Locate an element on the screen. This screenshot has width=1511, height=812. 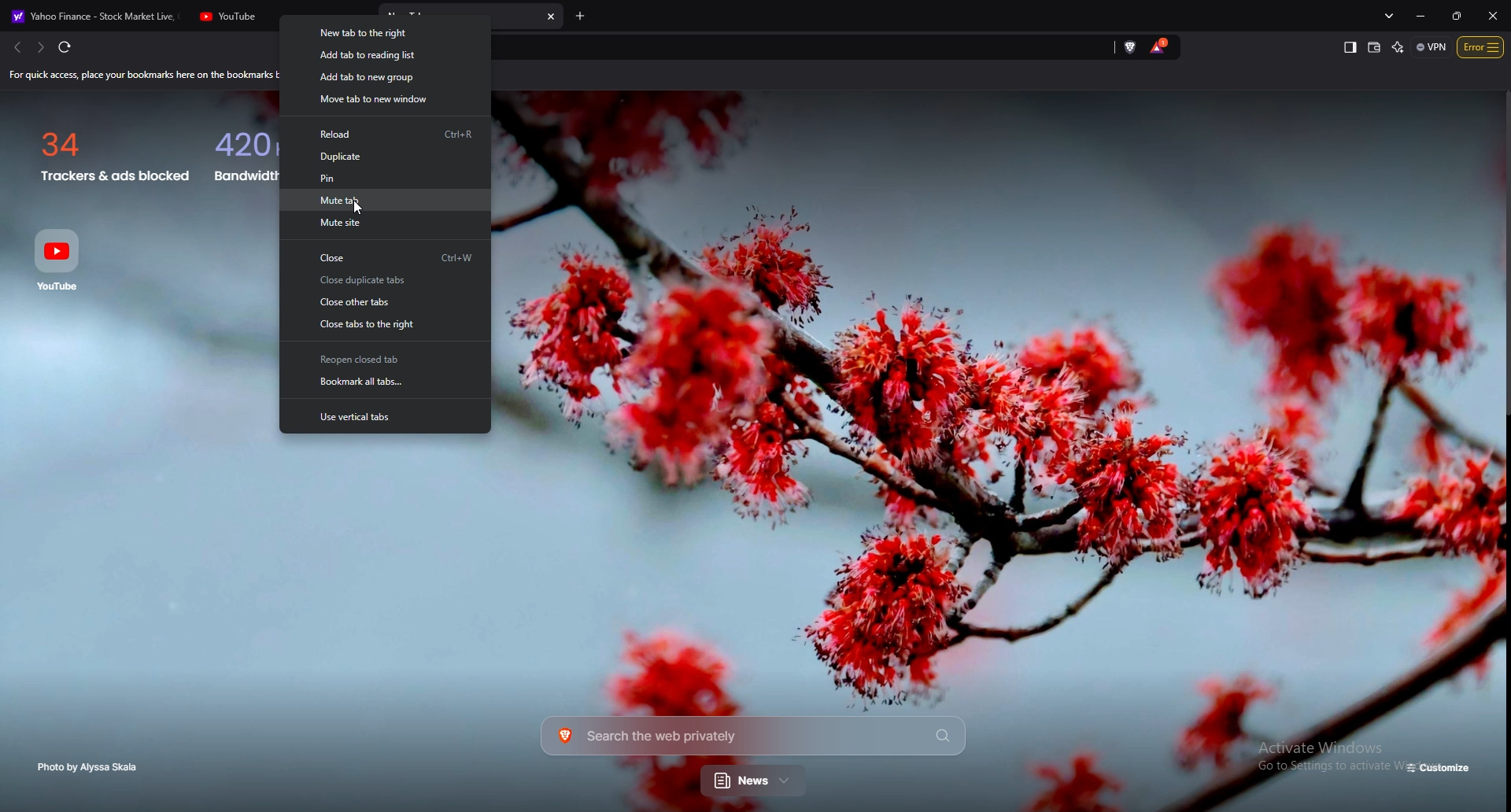
bookmark all tabs is located at coordinates (381, 382).